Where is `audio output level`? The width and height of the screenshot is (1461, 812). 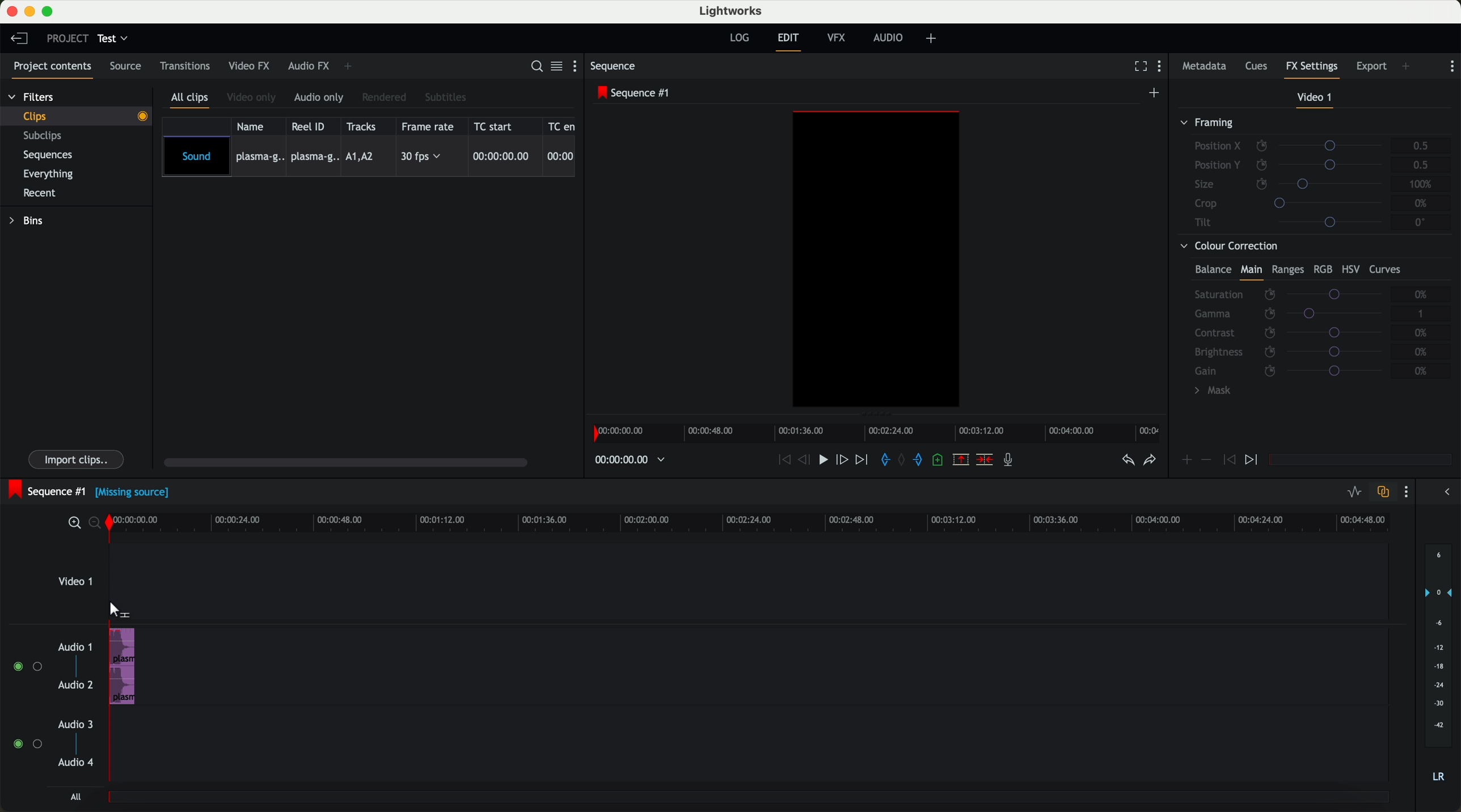 audio output level is located at coordinates (1439, 670).